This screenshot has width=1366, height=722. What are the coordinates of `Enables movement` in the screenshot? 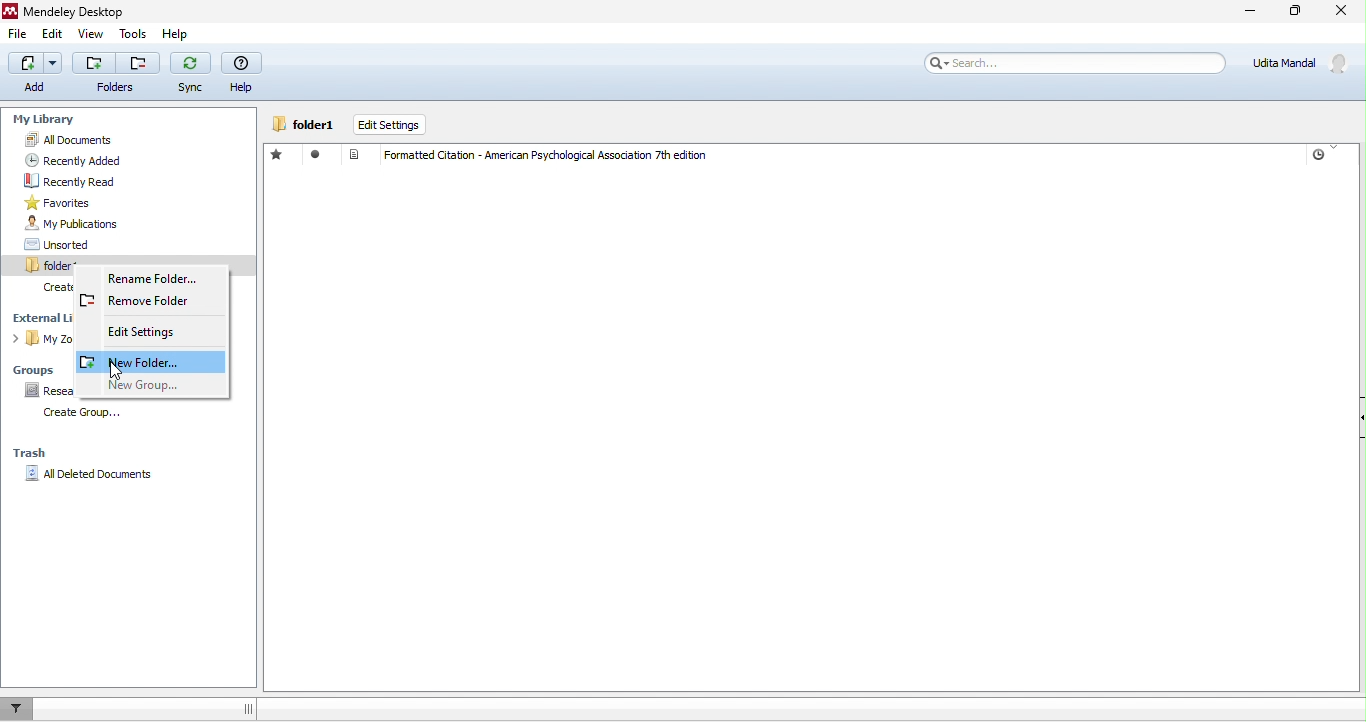 It's located at (248, 709).